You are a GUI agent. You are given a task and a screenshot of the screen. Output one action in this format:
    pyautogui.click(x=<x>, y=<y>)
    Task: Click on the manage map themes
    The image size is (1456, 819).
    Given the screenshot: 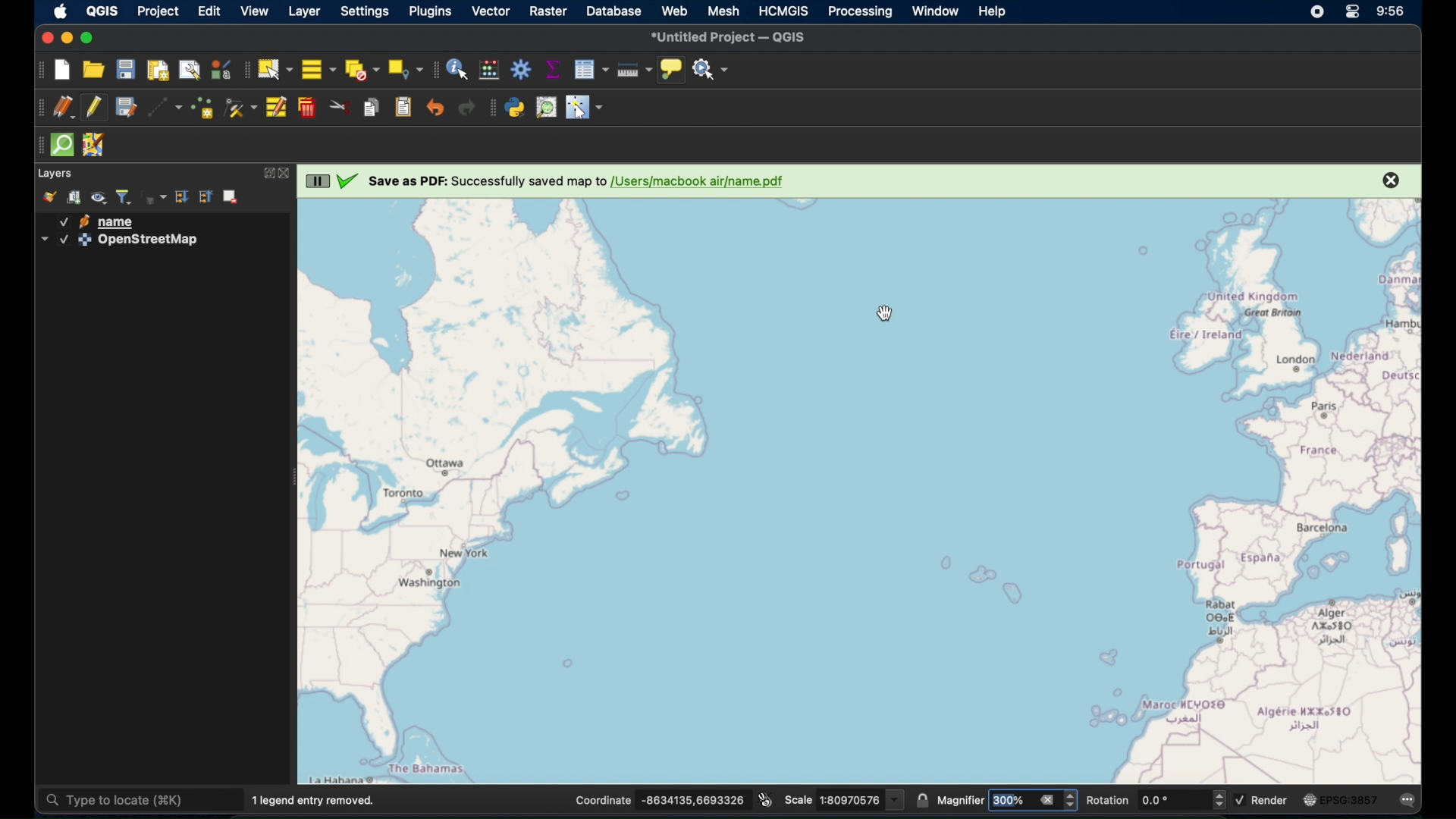 What is the action you would take?
    pyautogui.click(x=99, y=198)
    